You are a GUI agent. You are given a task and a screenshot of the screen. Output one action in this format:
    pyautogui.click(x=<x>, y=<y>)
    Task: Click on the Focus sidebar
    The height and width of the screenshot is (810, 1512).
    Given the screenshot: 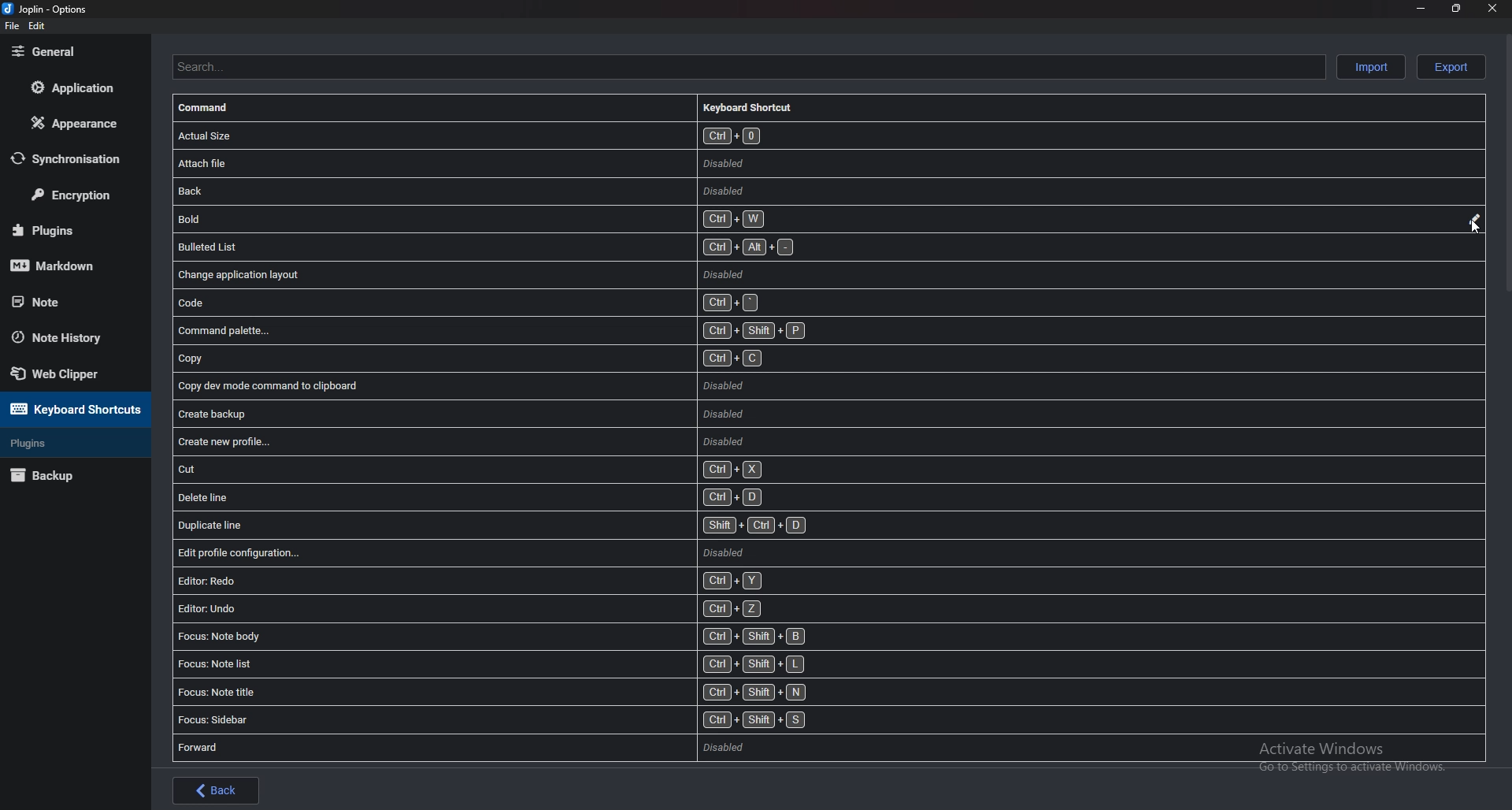 What is the action you would take?
    pyautogui.click(x=525, y=721)
    